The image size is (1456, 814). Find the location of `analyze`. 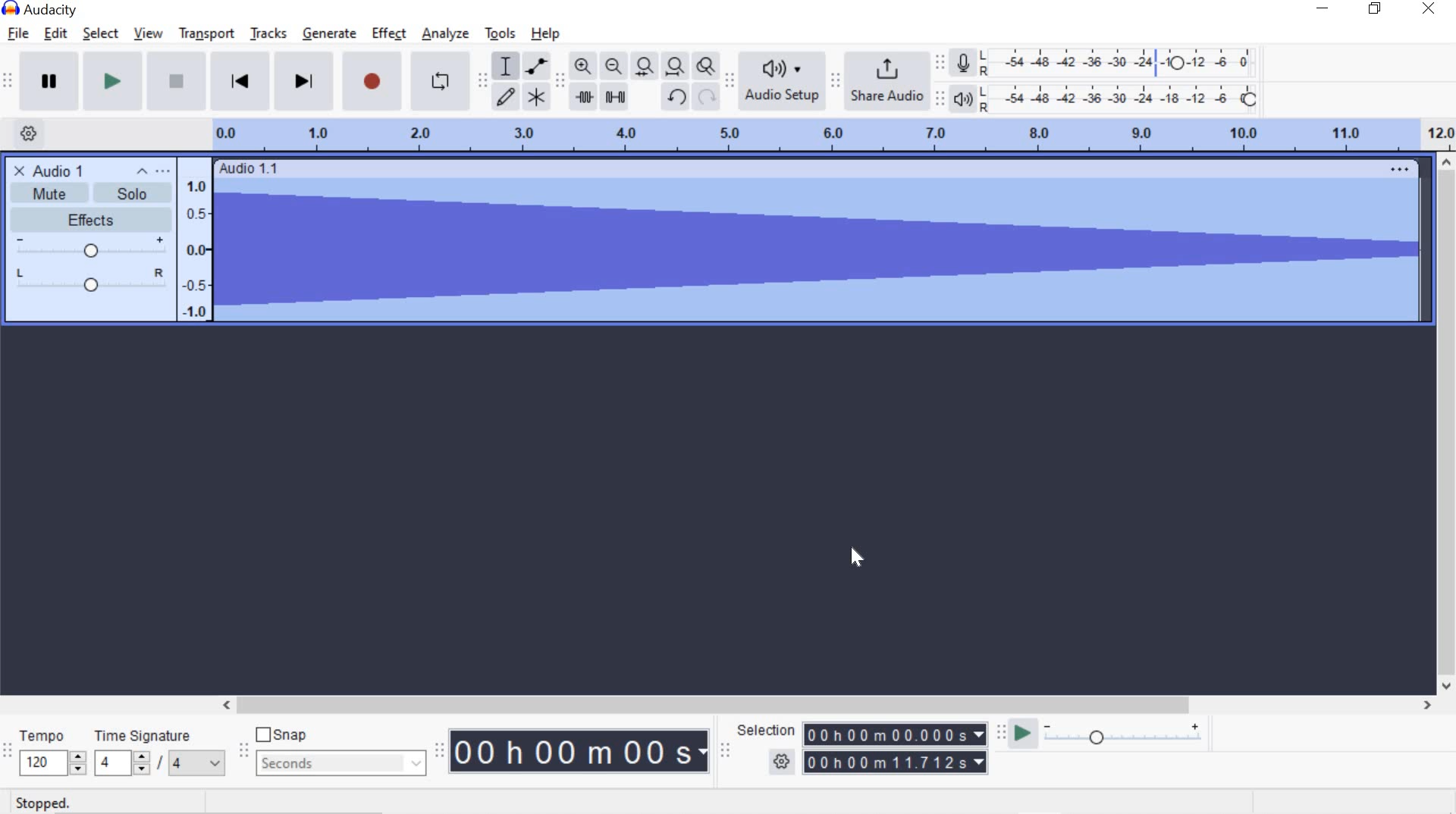

analyze is located at coordinates (445, 35).